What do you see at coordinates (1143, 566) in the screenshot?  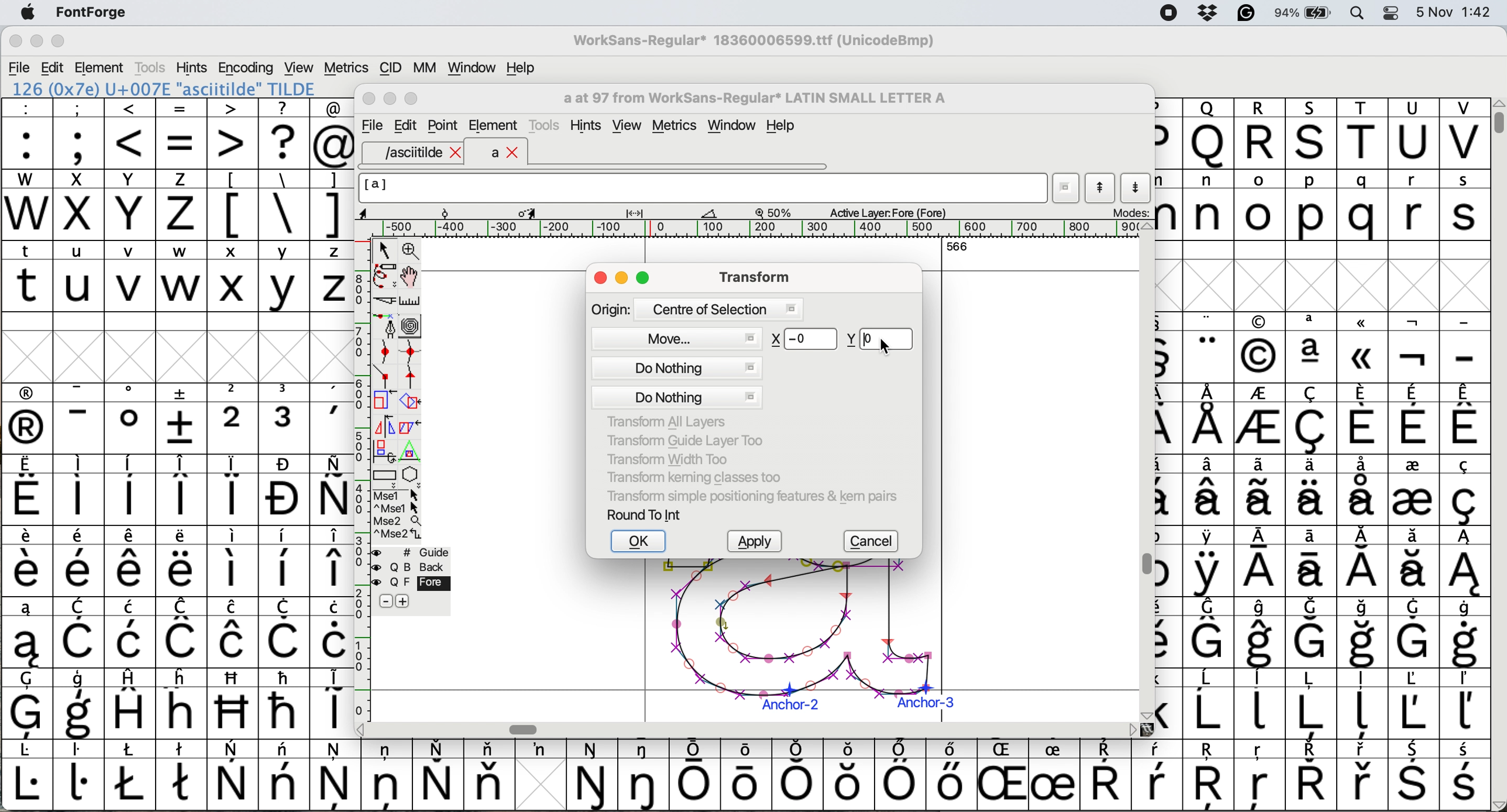 I see `Vertical scroll bar` at bounding box center [1143, 566].